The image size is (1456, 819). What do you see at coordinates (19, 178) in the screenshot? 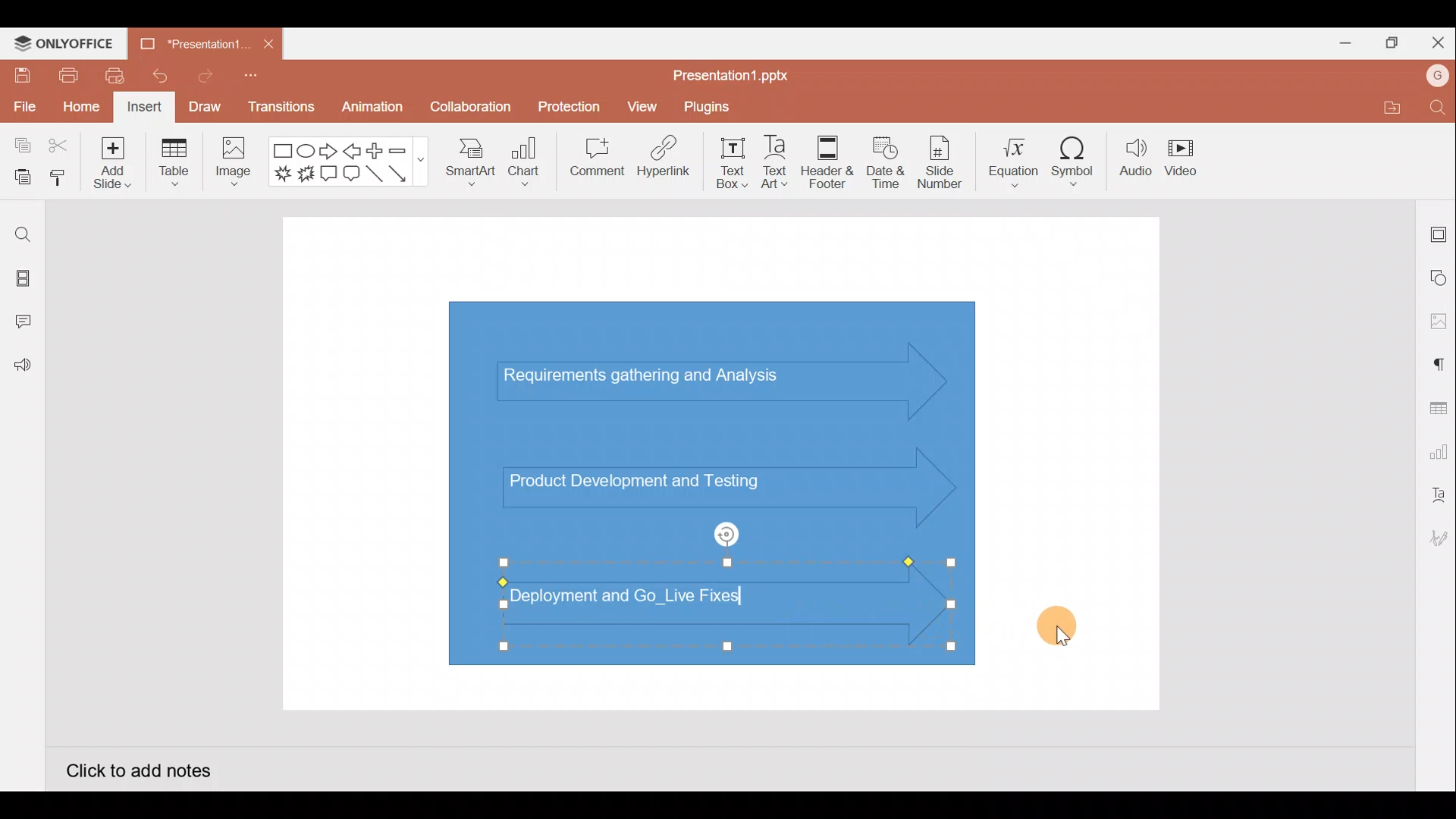
I see `Paste` at bounding box center [19, 178].